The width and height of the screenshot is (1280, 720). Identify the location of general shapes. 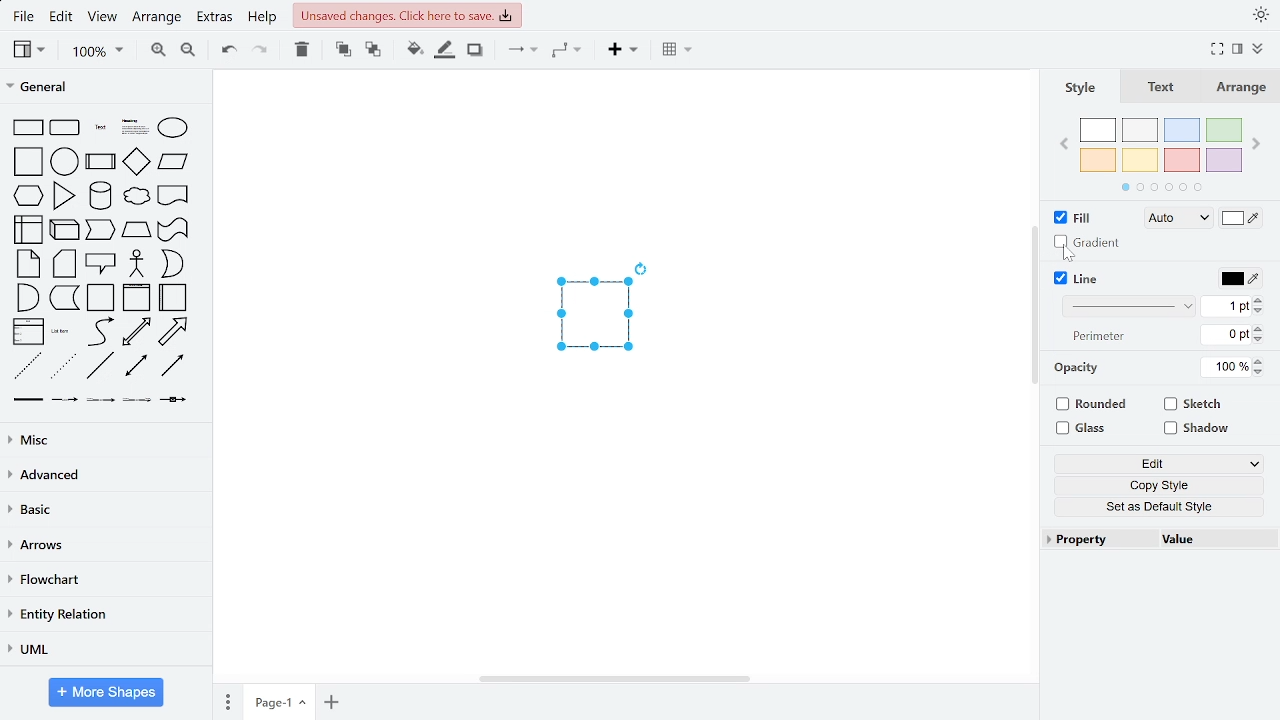
(61, 366).